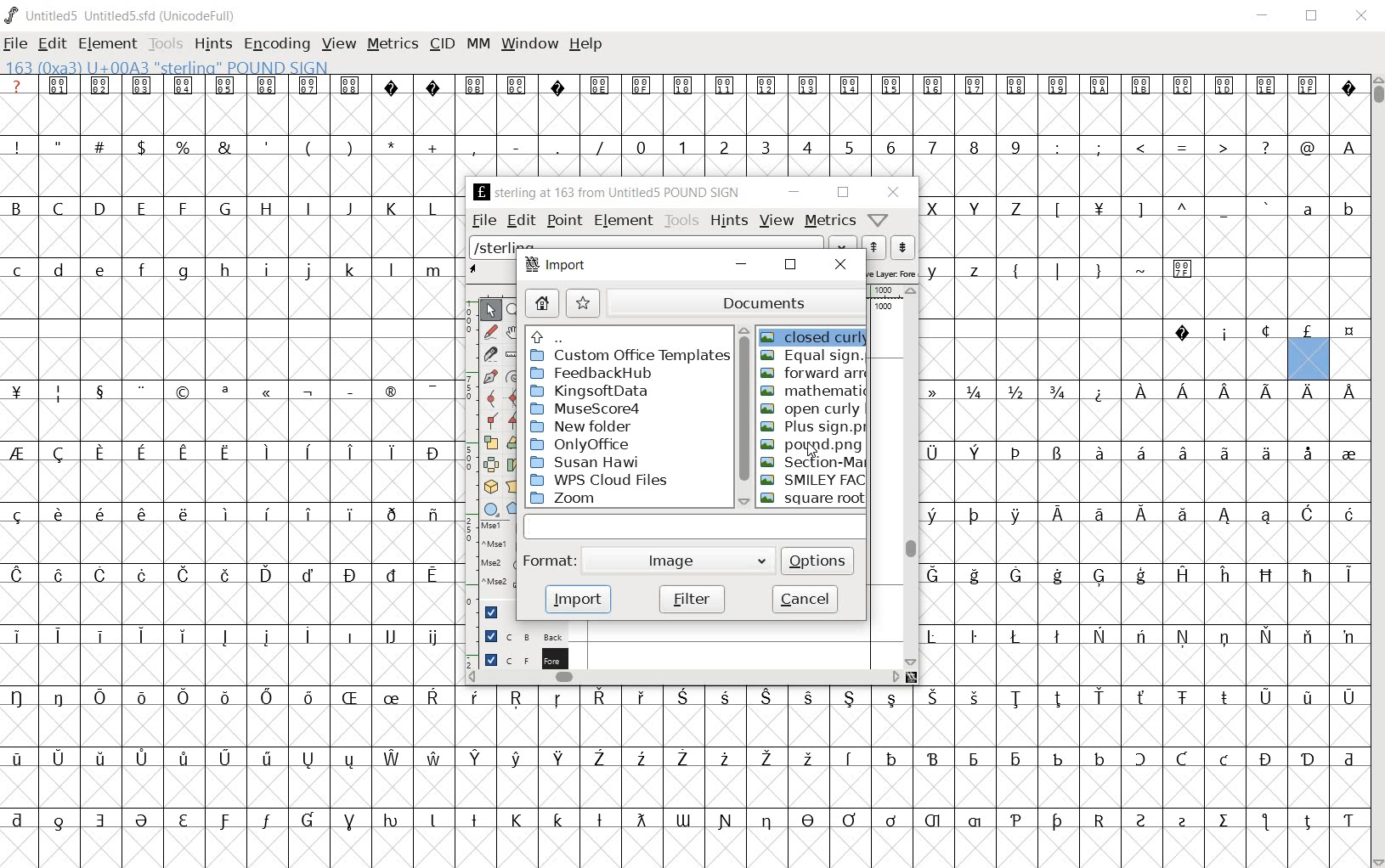 The width and height of the screenshot is (1385, 868). Describe the element at coordinates (1055, 211) in the screenshot. I see `[` at that location.